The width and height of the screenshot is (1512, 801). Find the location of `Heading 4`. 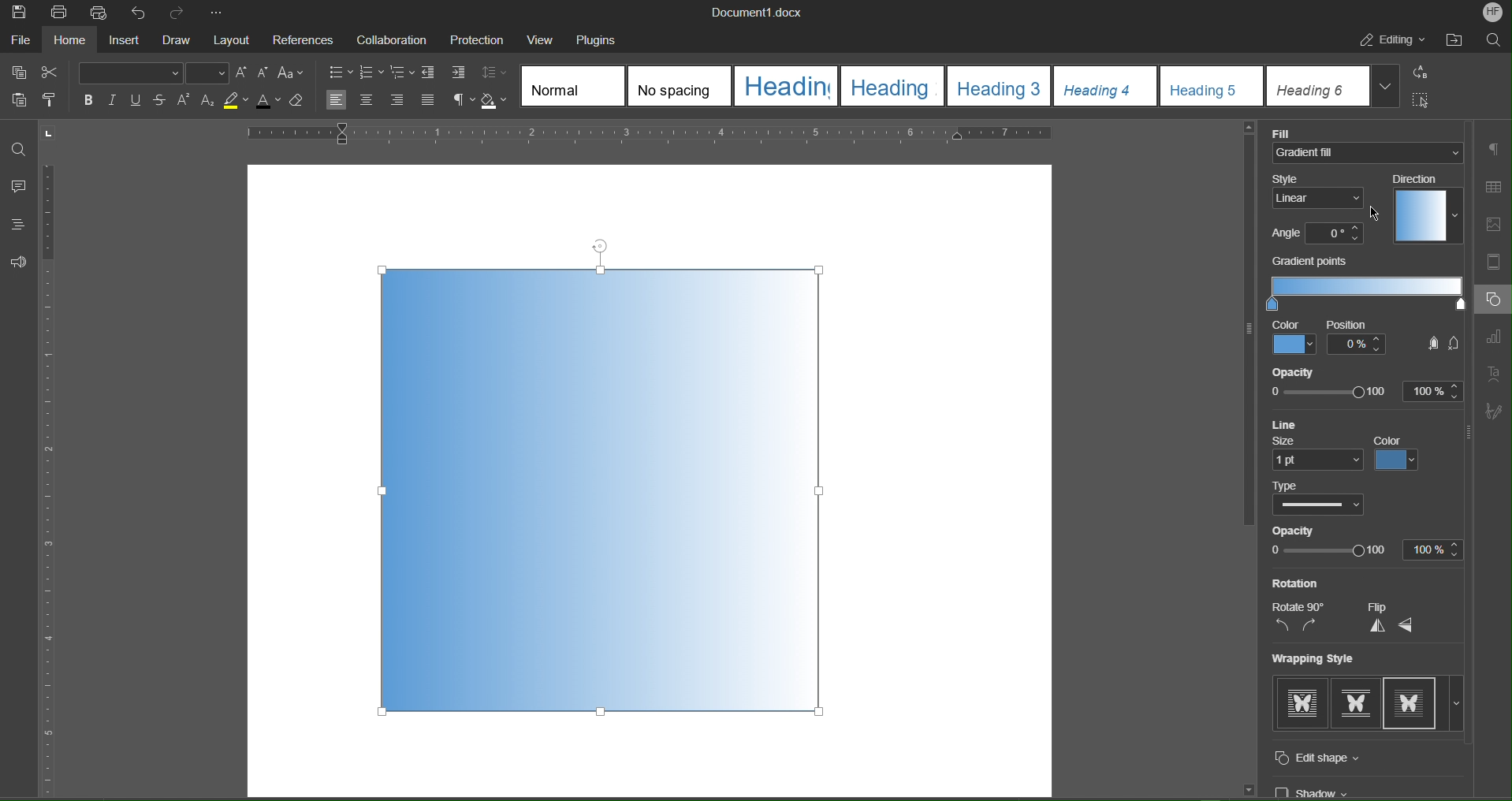

Heading 4 is located at coordinates (1103, 86).